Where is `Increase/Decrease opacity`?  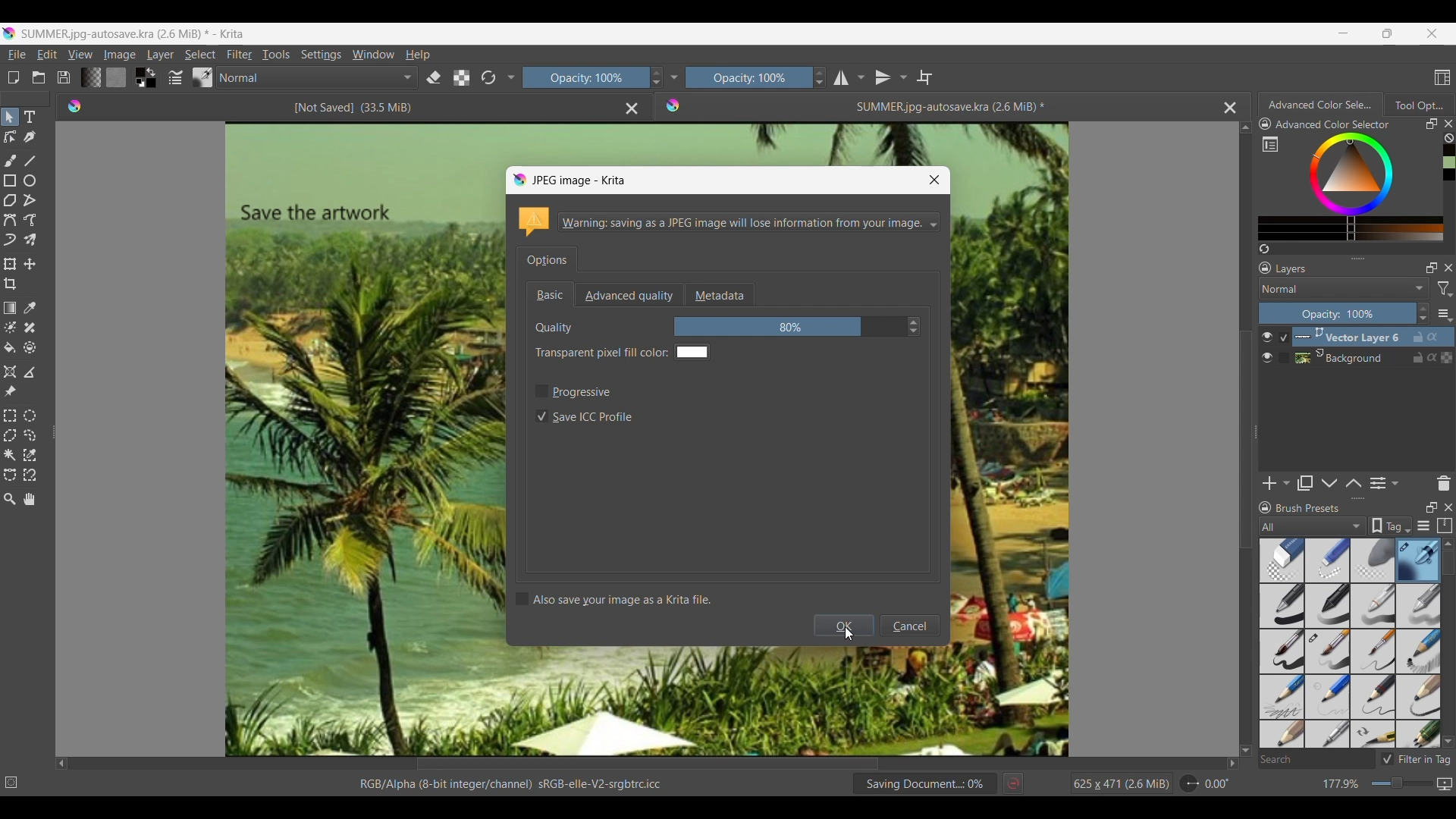
Increase/Decrease opacity is located at coordinates (819, 77).